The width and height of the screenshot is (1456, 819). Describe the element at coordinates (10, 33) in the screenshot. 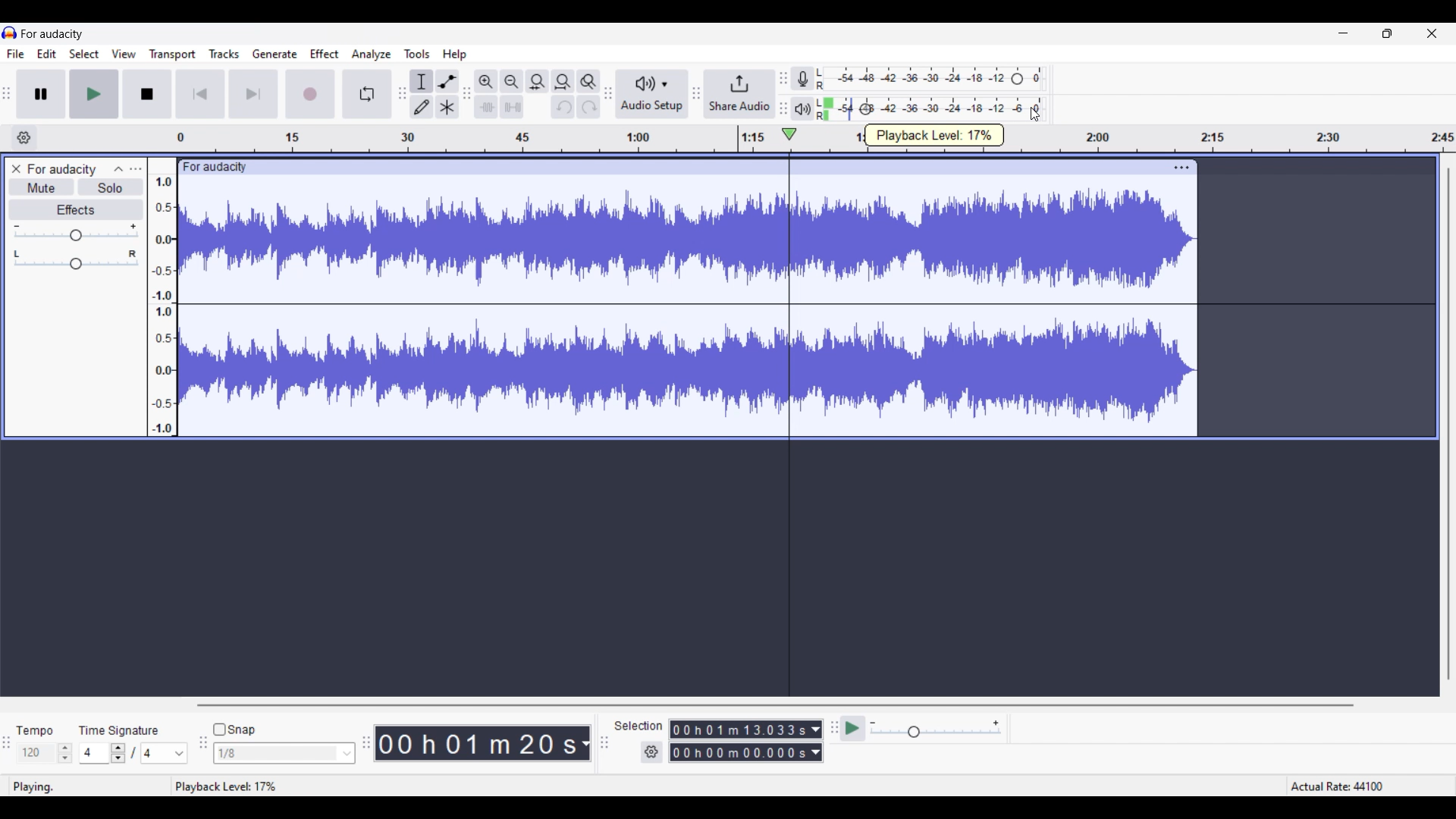

I see `Software logo` at that location.